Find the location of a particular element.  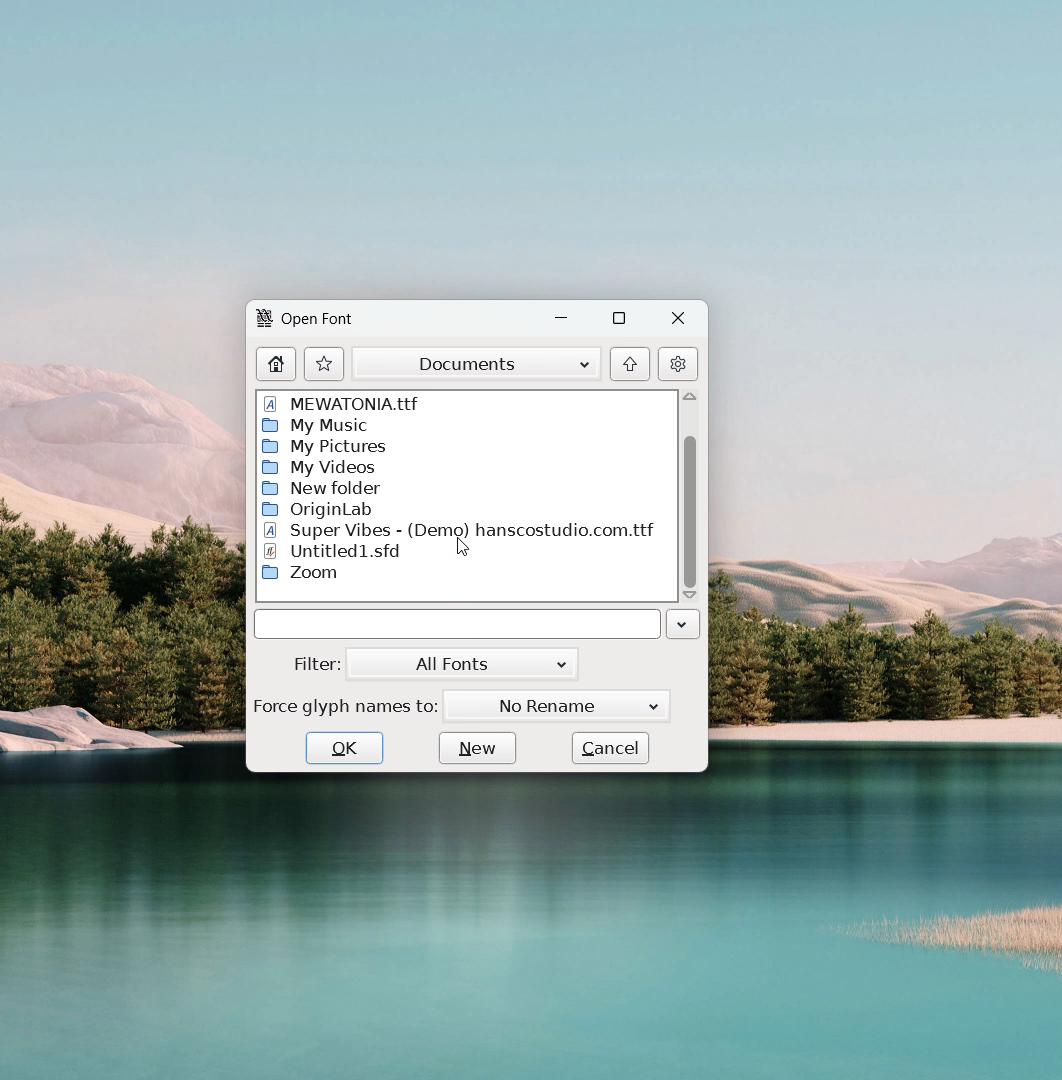

all fonts is located at coordinates (463, 663).